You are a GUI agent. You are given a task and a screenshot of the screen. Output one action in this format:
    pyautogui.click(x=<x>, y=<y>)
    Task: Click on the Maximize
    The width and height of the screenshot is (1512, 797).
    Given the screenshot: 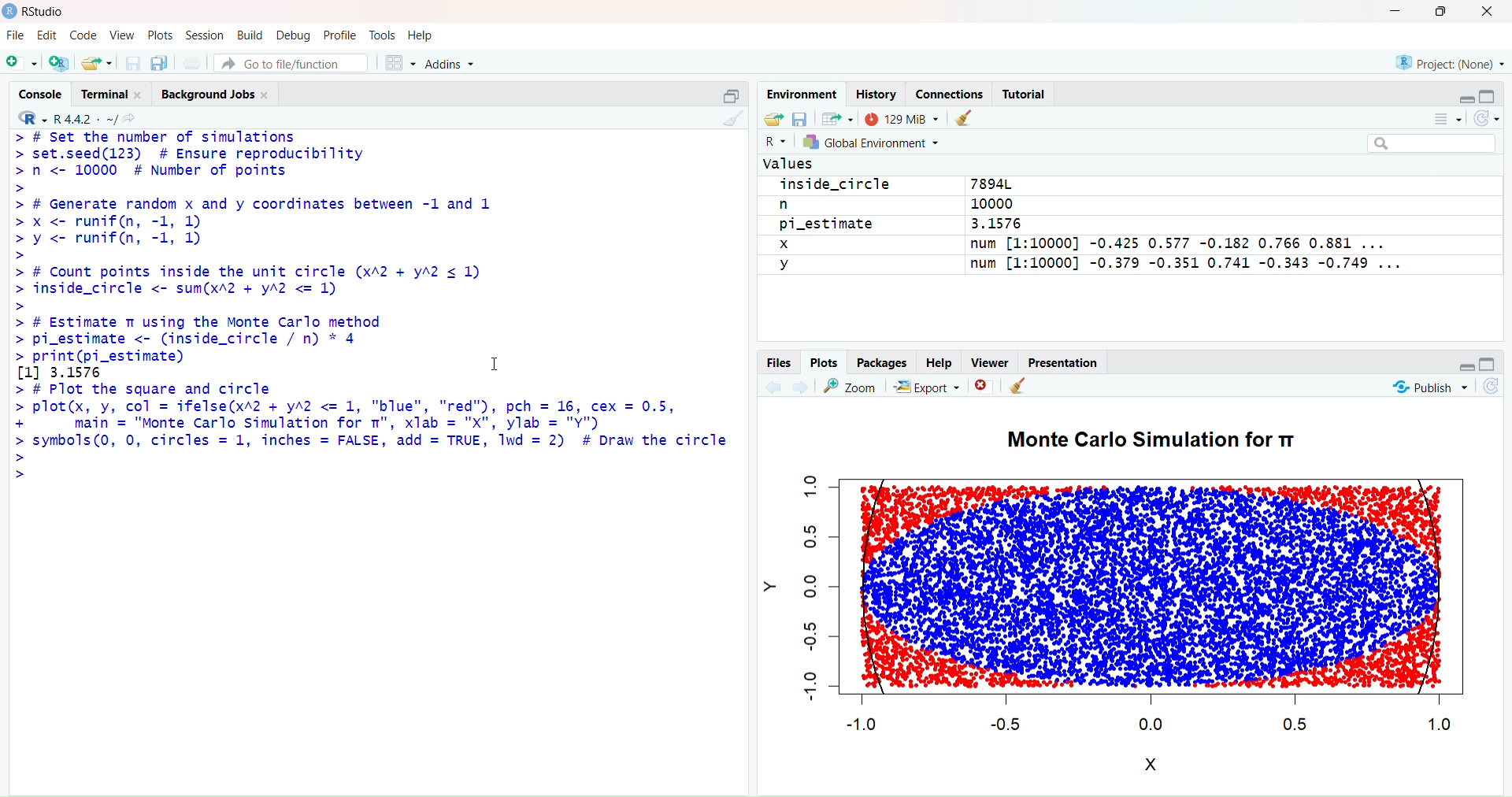 What is the action you would take?
    pyautogui.click(x=1487, y=97)
    